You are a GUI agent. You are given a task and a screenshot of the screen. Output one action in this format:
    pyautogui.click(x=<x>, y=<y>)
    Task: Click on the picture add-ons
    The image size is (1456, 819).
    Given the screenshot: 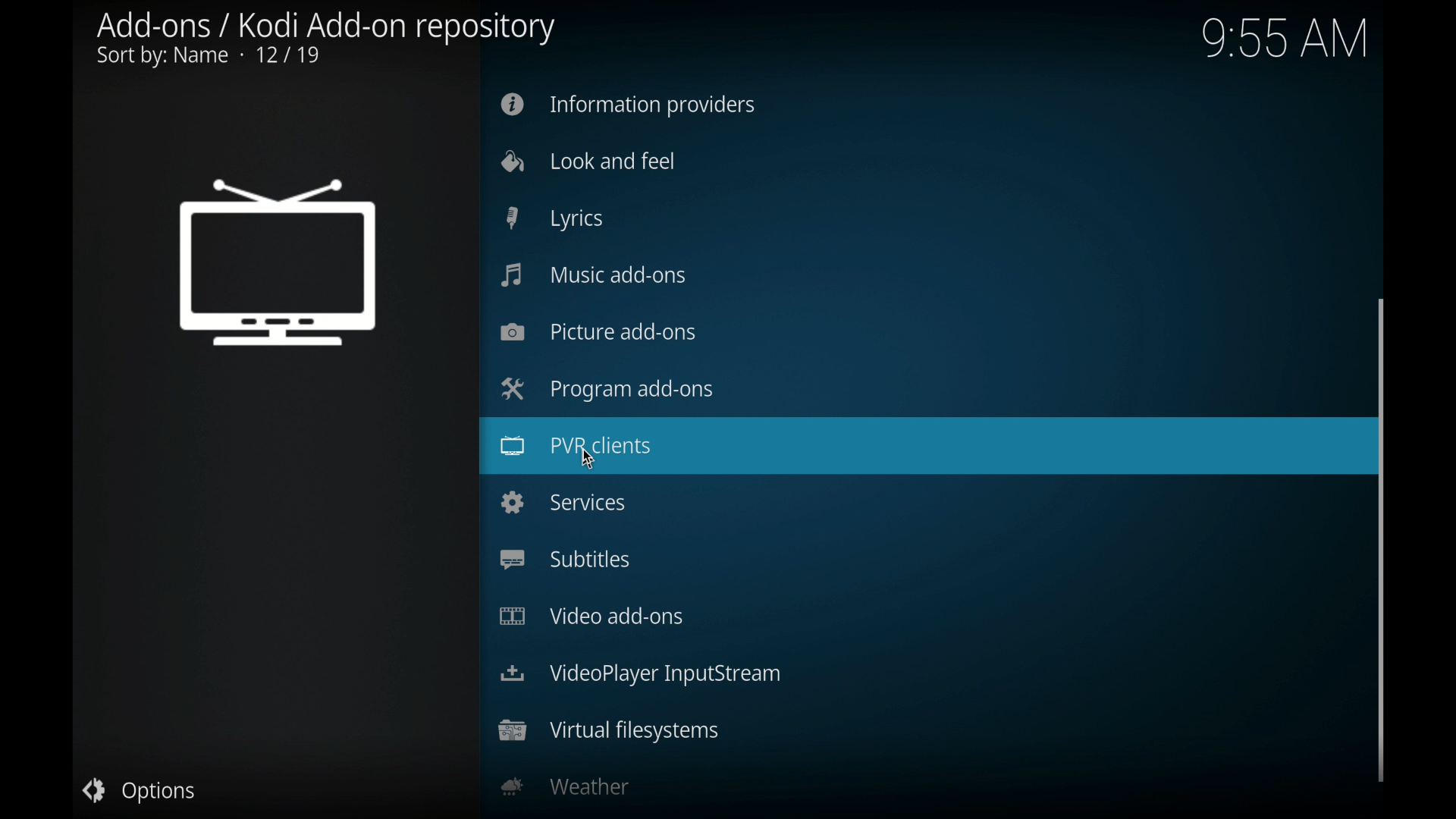 What is the action you would take?
    pyautogui.click(x=596, y=332)
    